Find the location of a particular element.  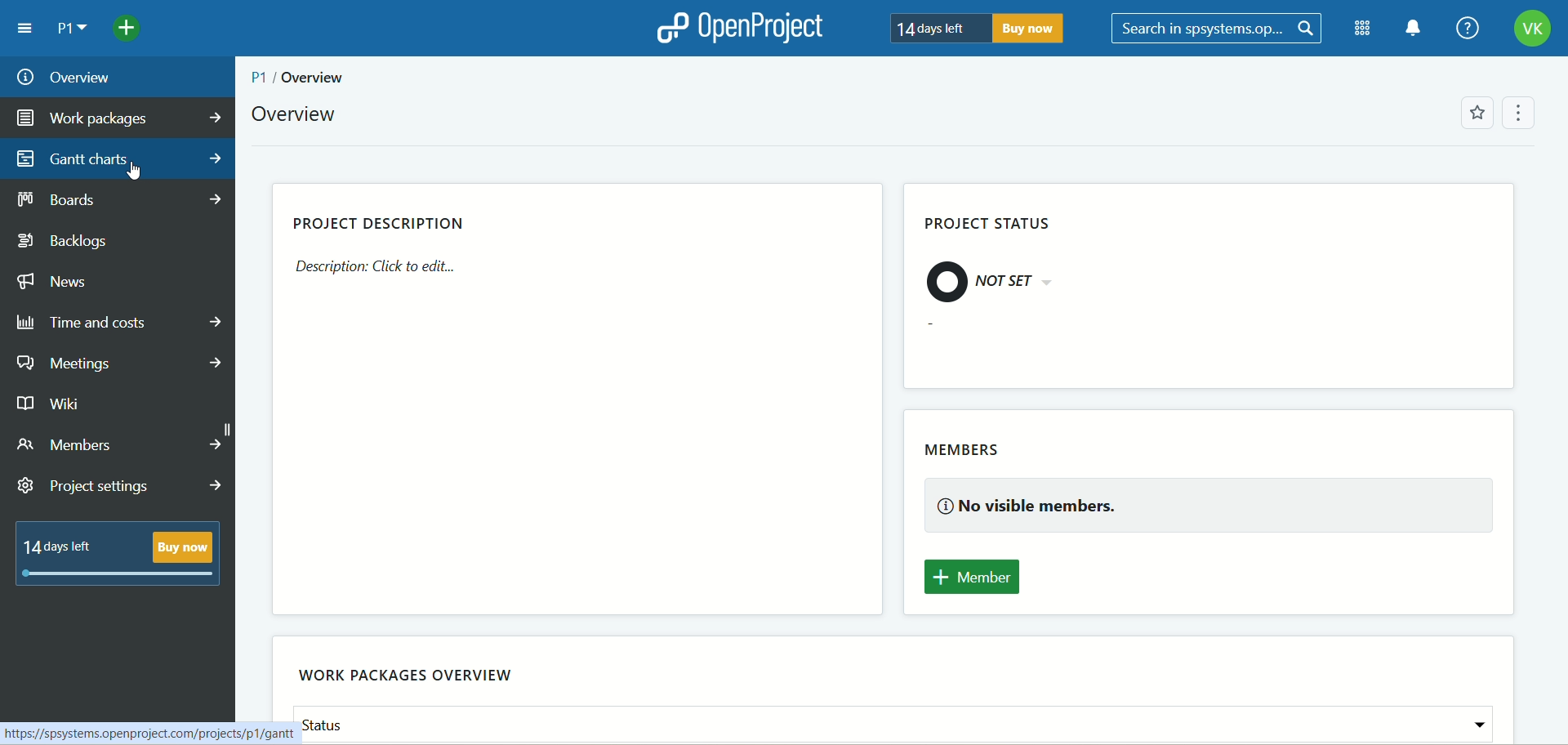

project description is located at coordinates (379, 221).